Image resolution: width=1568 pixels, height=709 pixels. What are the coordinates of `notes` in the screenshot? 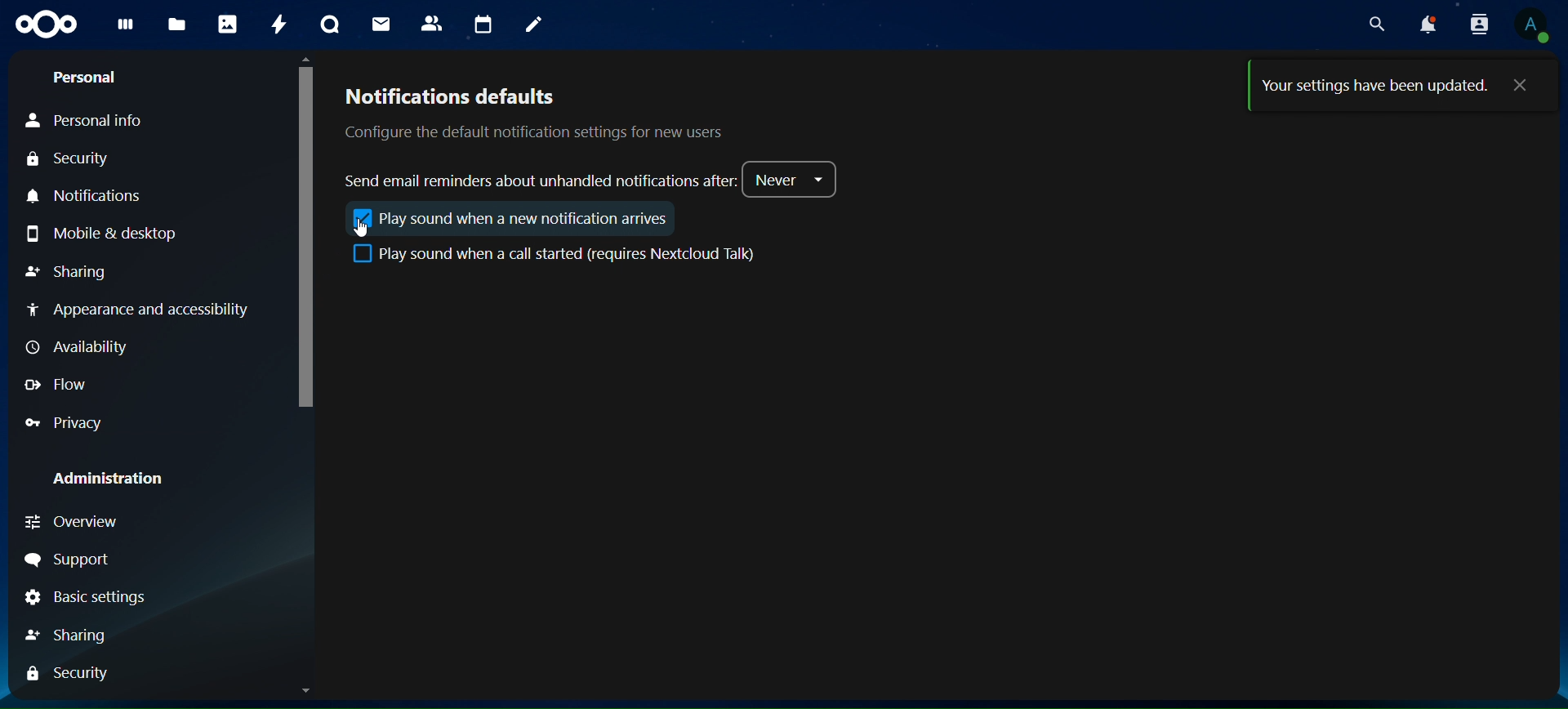 It's located at (534, 24).